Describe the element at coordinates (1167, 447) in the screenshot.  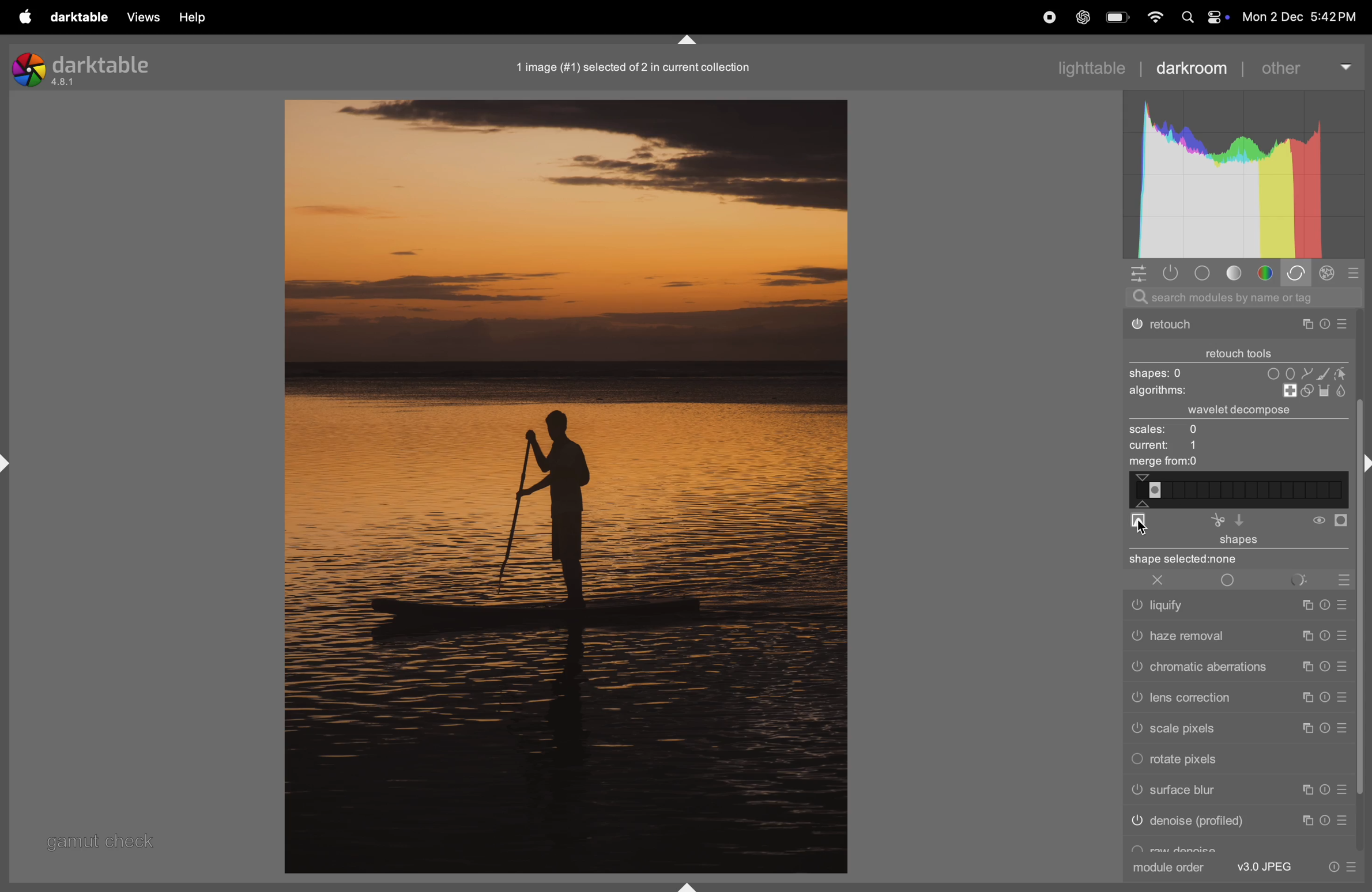
I see `current` at that location.